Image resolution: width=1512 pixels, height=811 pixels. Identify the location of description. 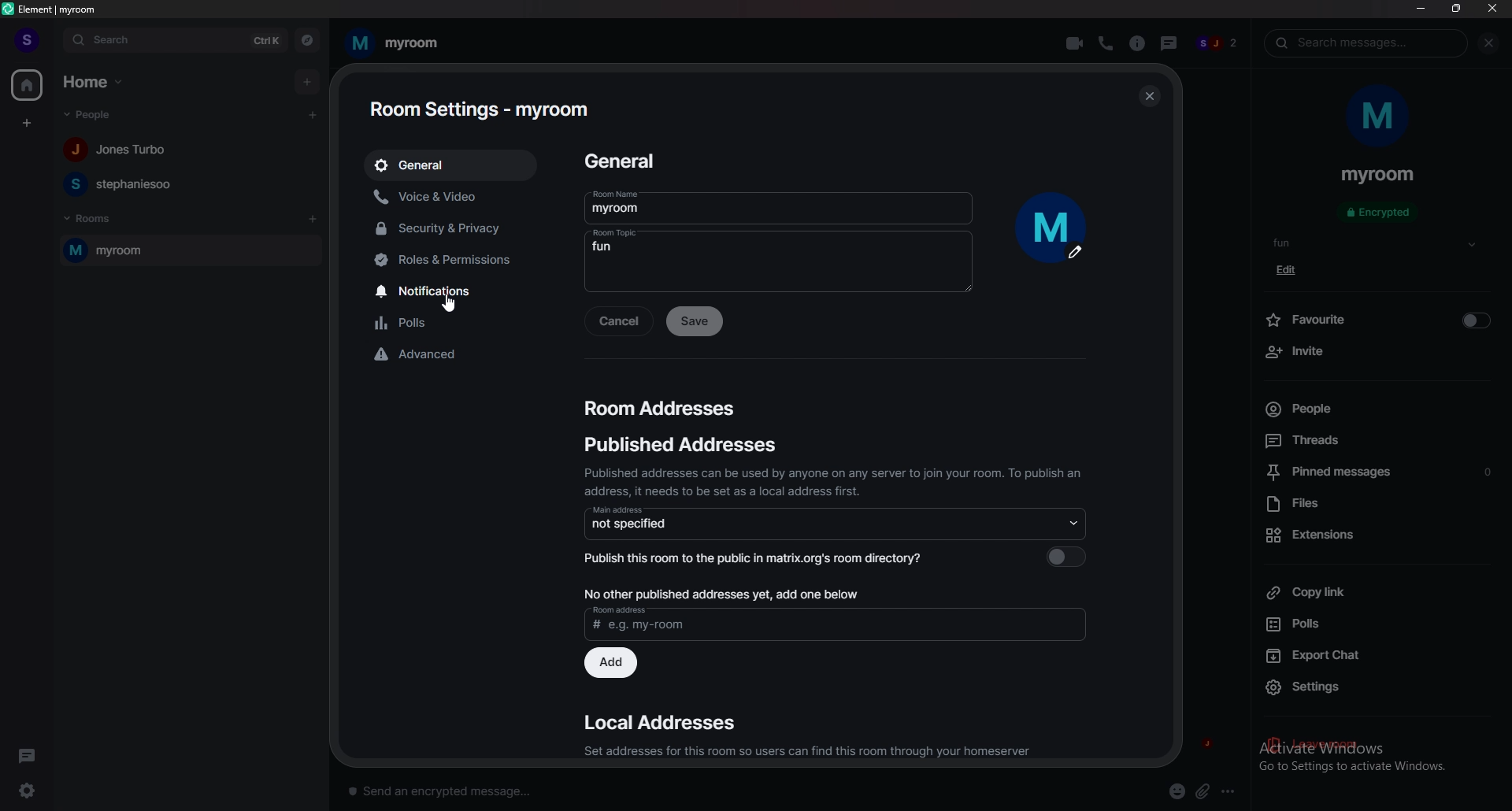
(832, 481).